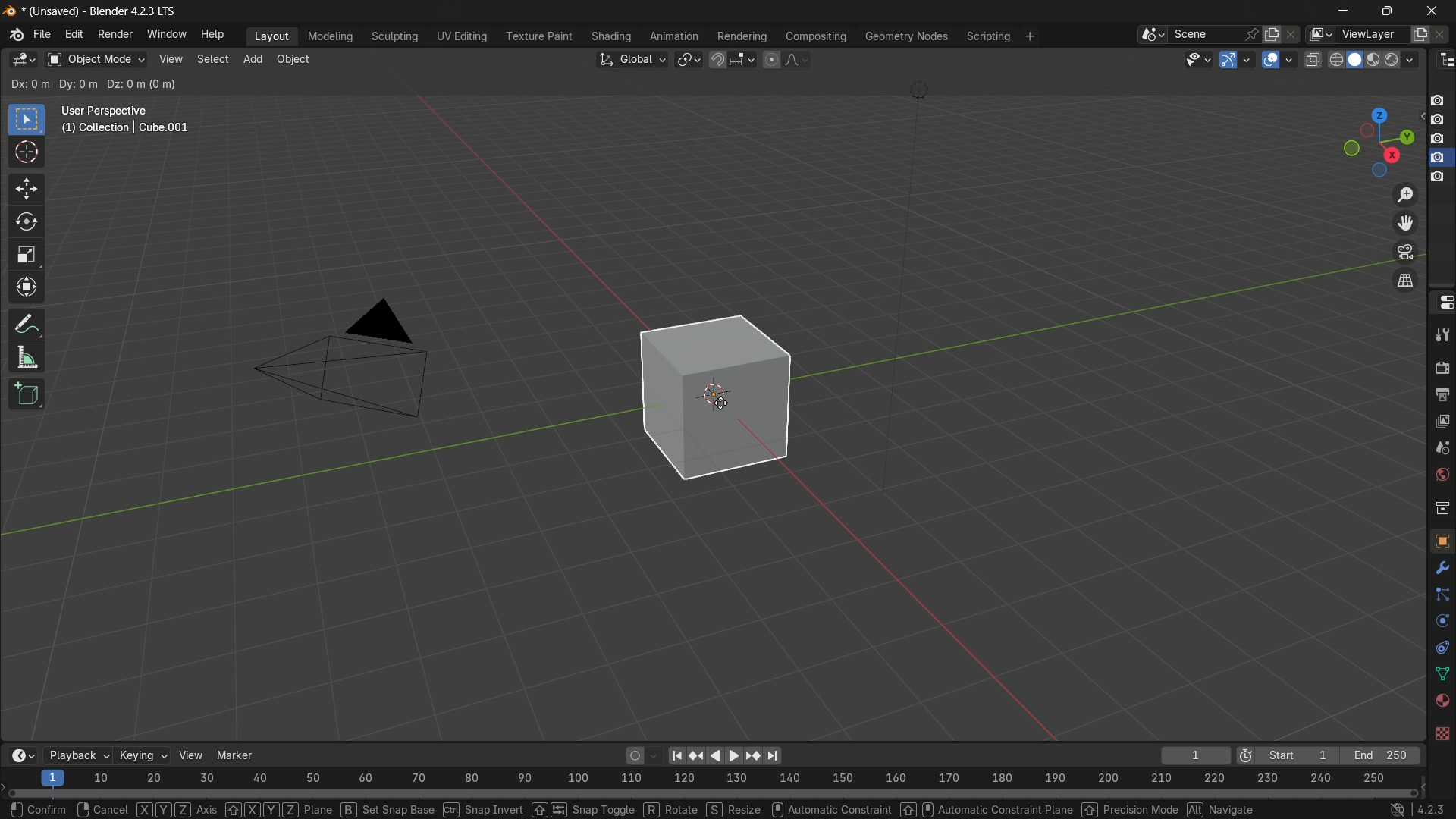  I want to click on shading menu, so click(609, 37).